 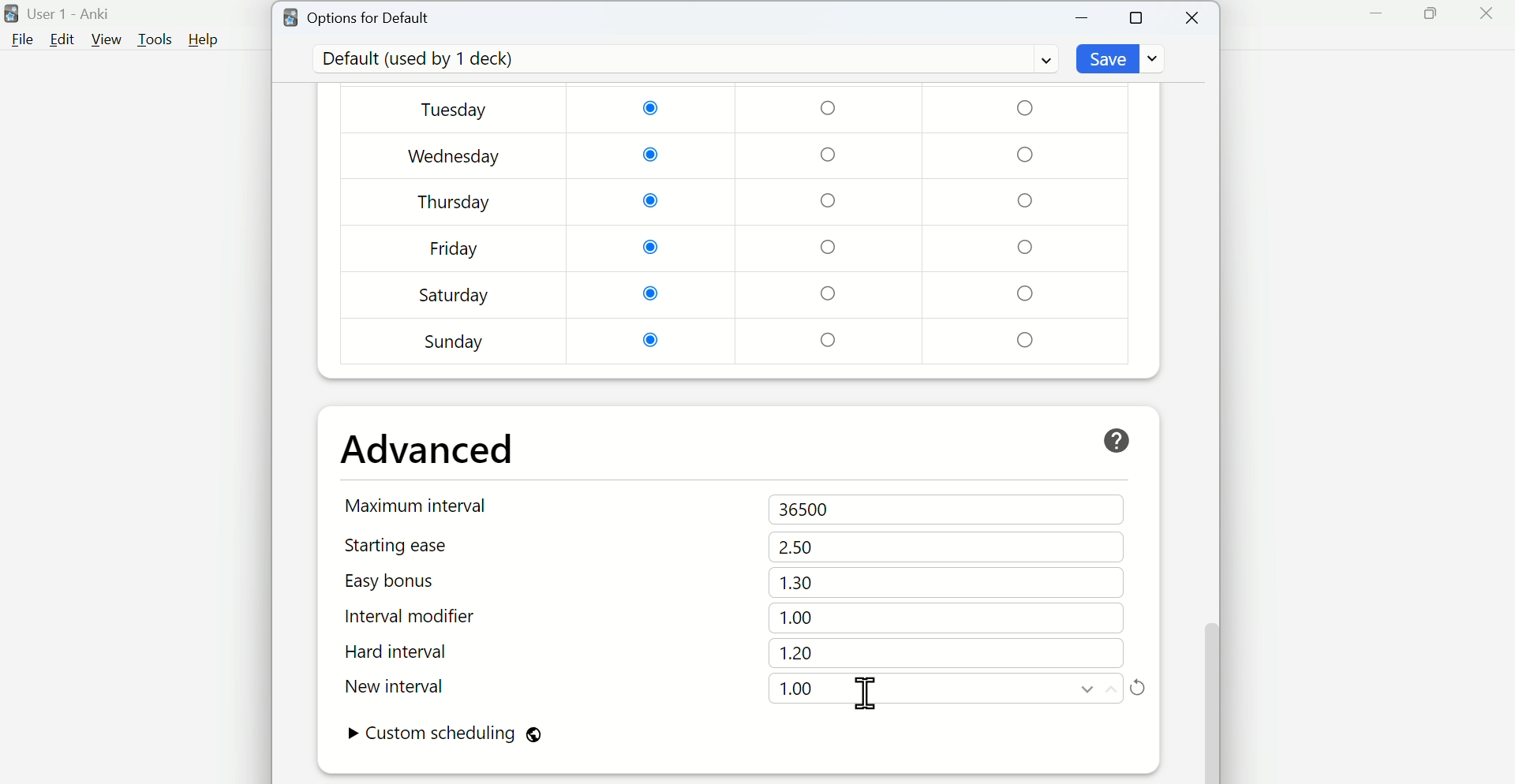 What do you see at coordinates (454, 202) in the screenshot?
I see `Thursday` at bounding box center [454, 202].